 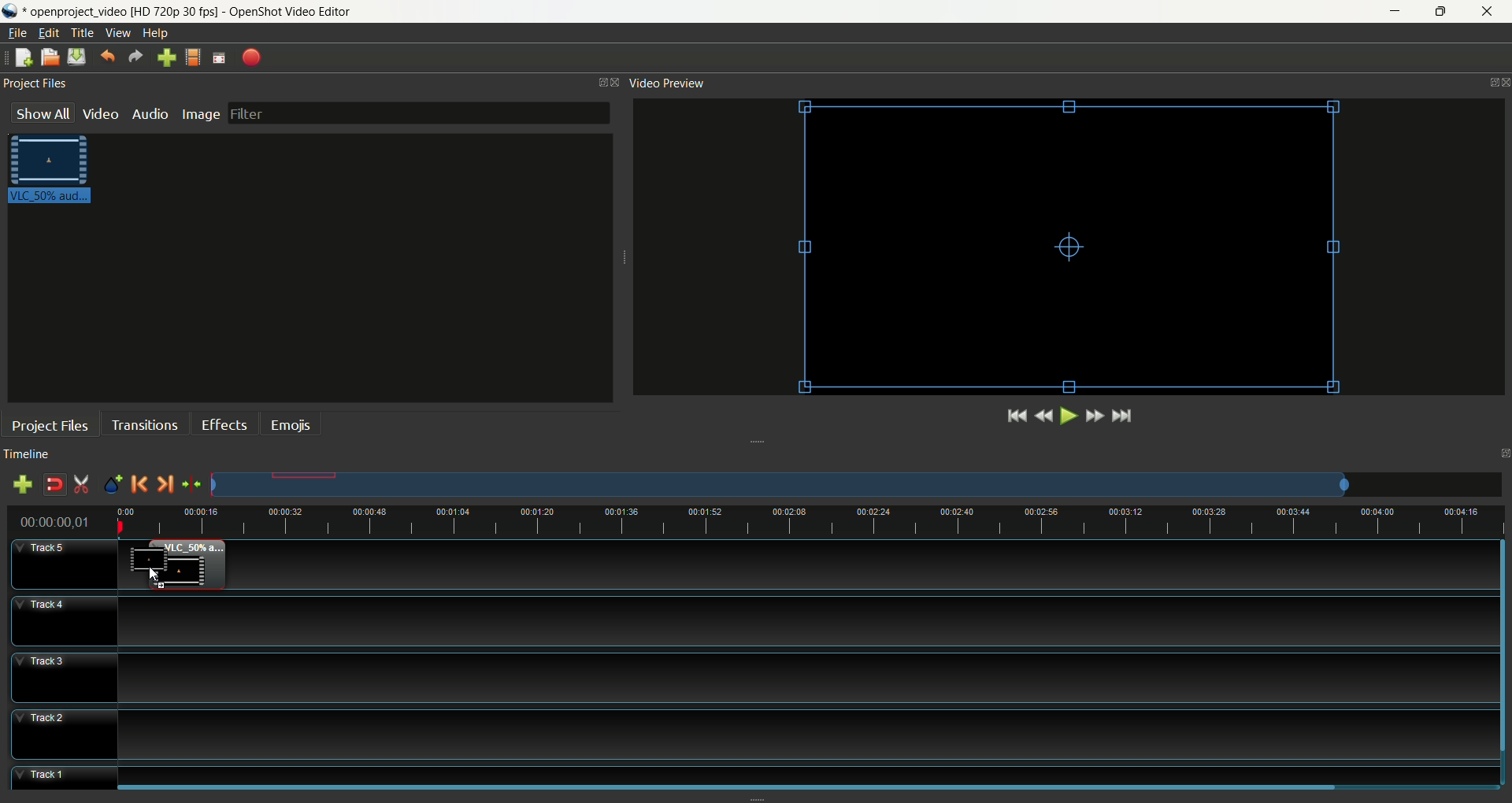 I want to click on maximize, so click(x=1440, y=13).